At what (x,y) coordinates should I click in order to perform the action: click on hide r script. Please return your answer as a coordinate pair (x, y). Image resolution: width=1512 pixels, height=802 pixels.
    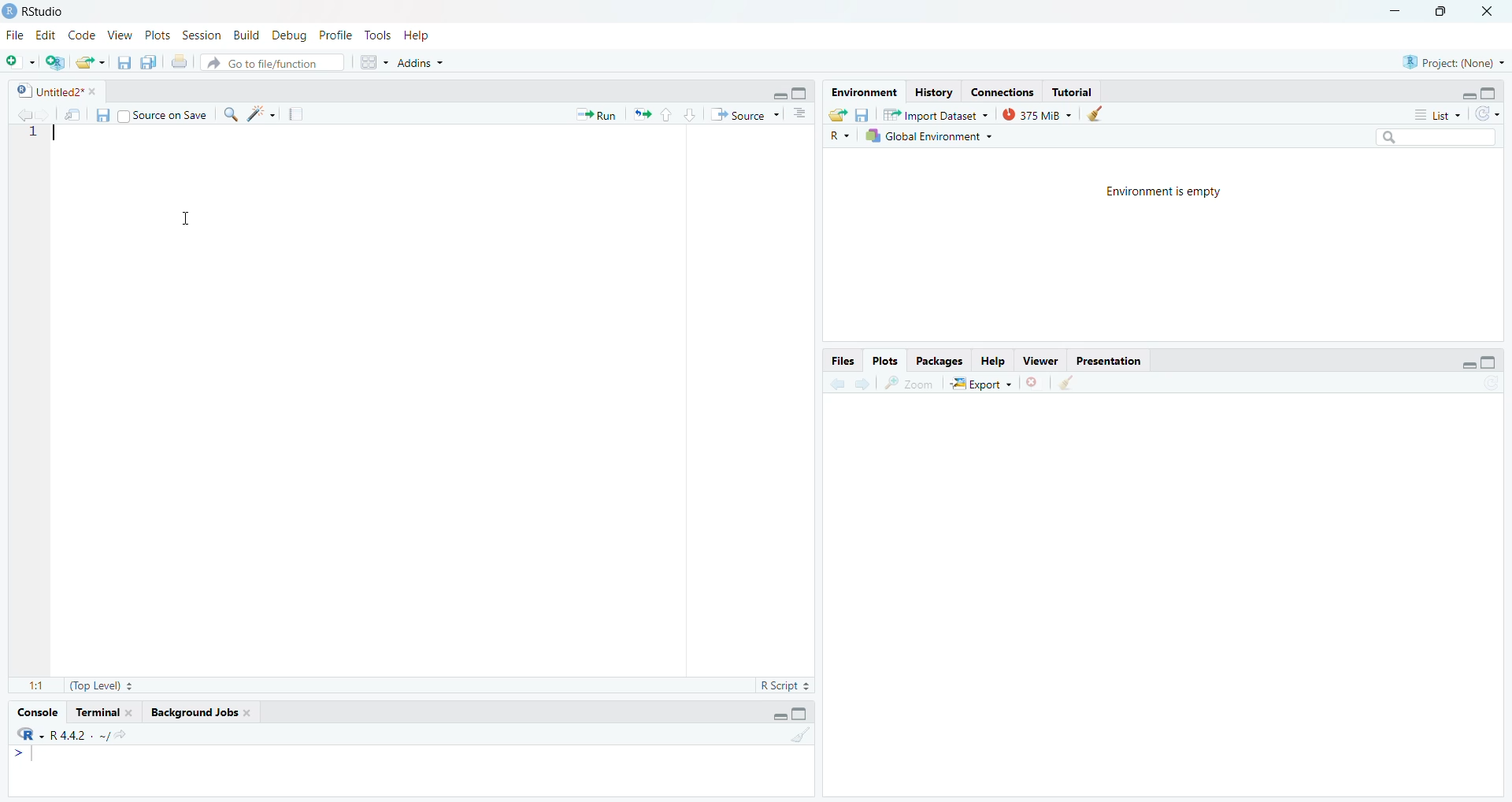
    Looking at the image, I should click on (781, 715).